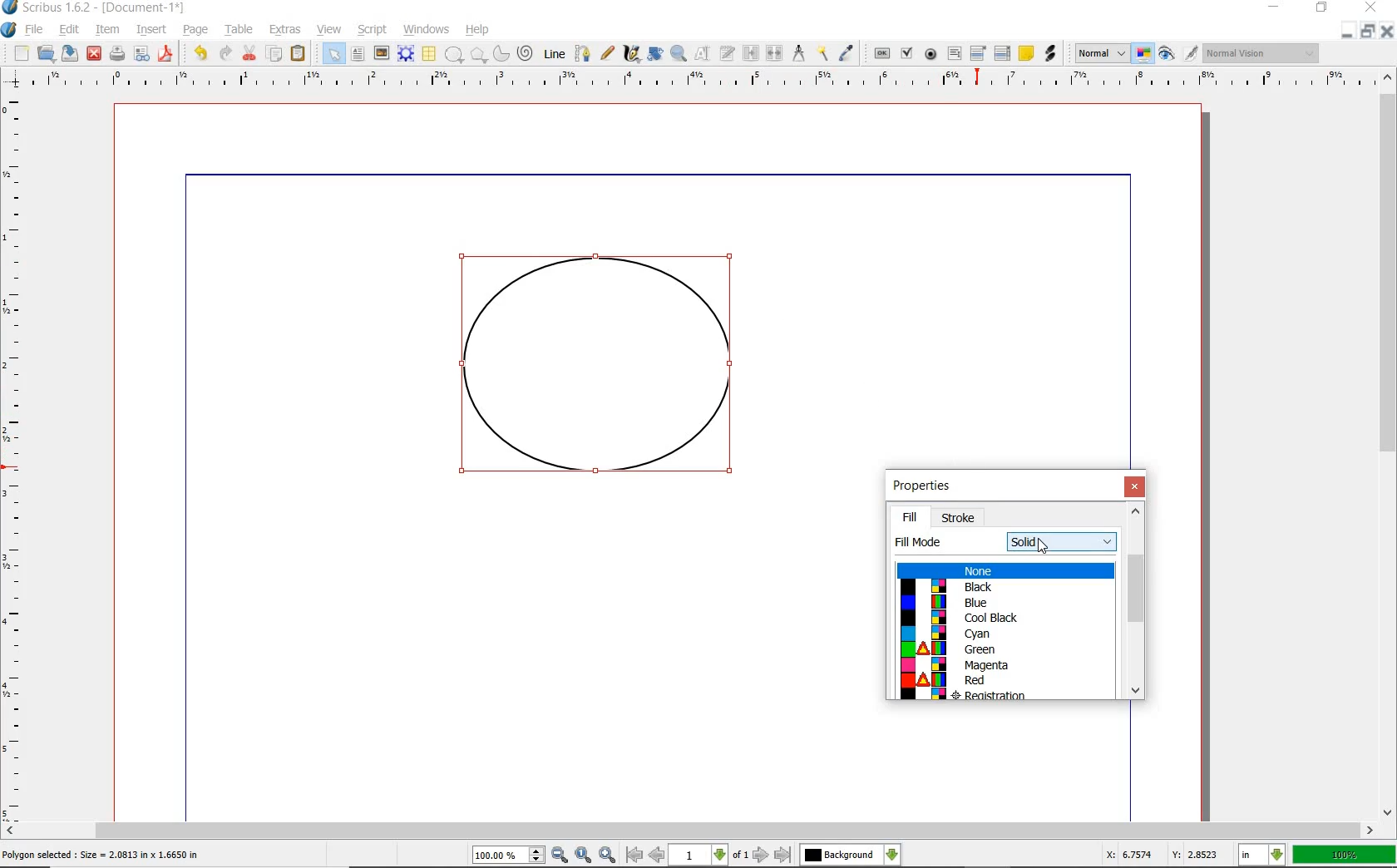 This screenshot has width=1397, height=868. Describe the element at coordinates (555, 54) in the screenshot. I see `LINE` at that location.